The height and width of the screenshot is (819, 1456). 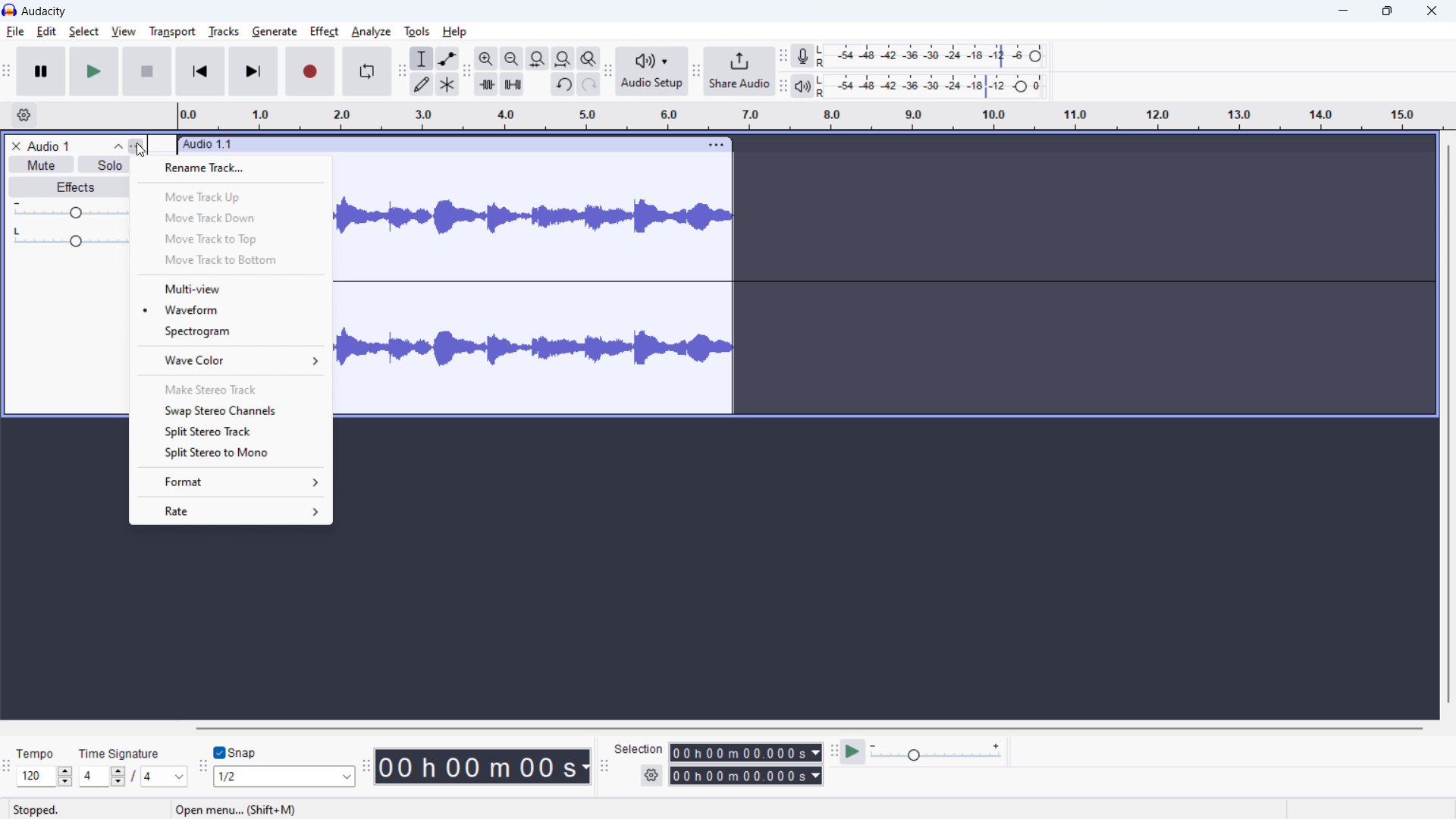 What do you see at coordinates (69, 237) in the screenshot?
I see `pan` at bounding box center [69, 237].